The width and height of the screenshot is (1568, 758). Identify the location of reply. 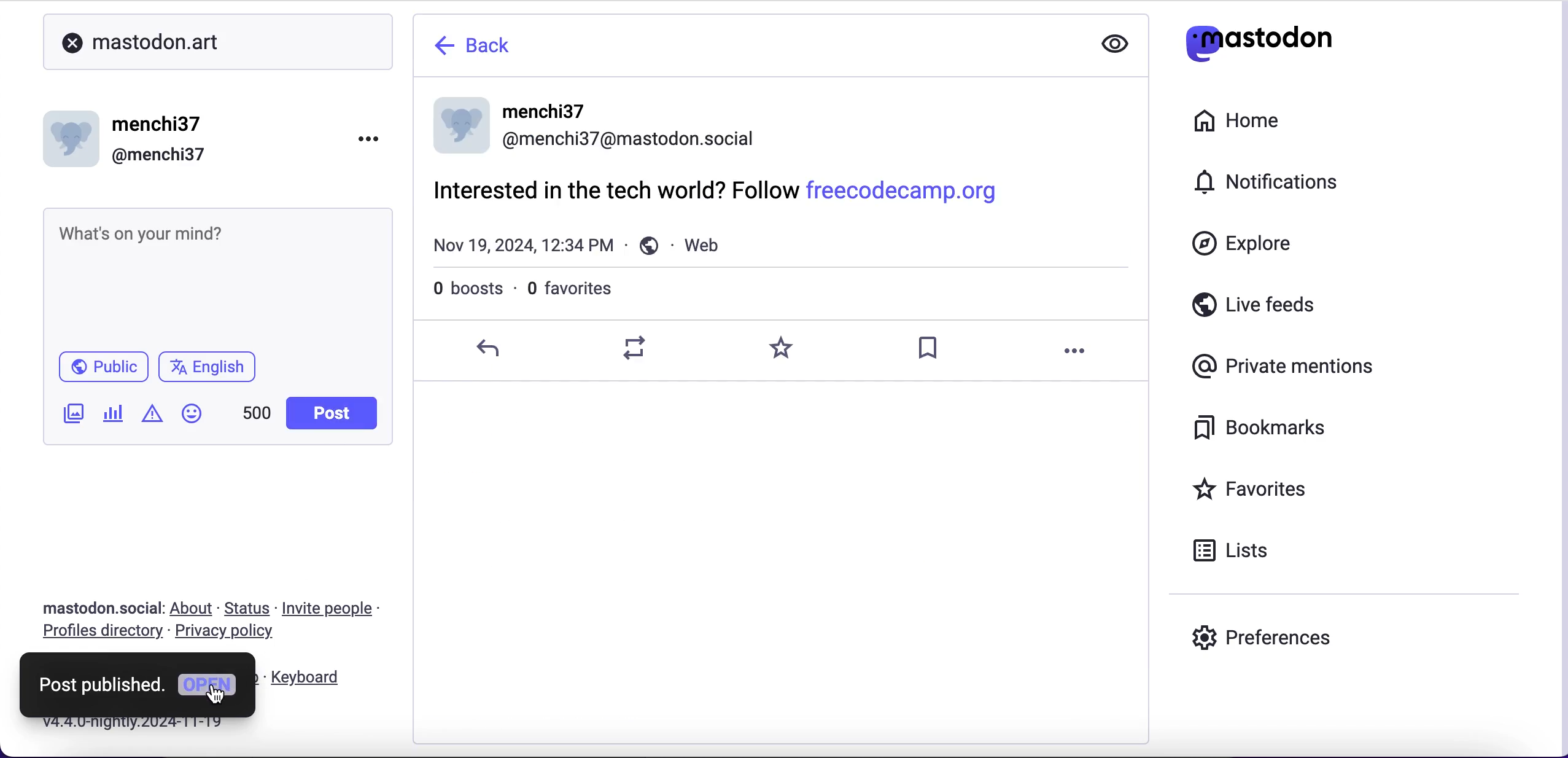
(491, 347).